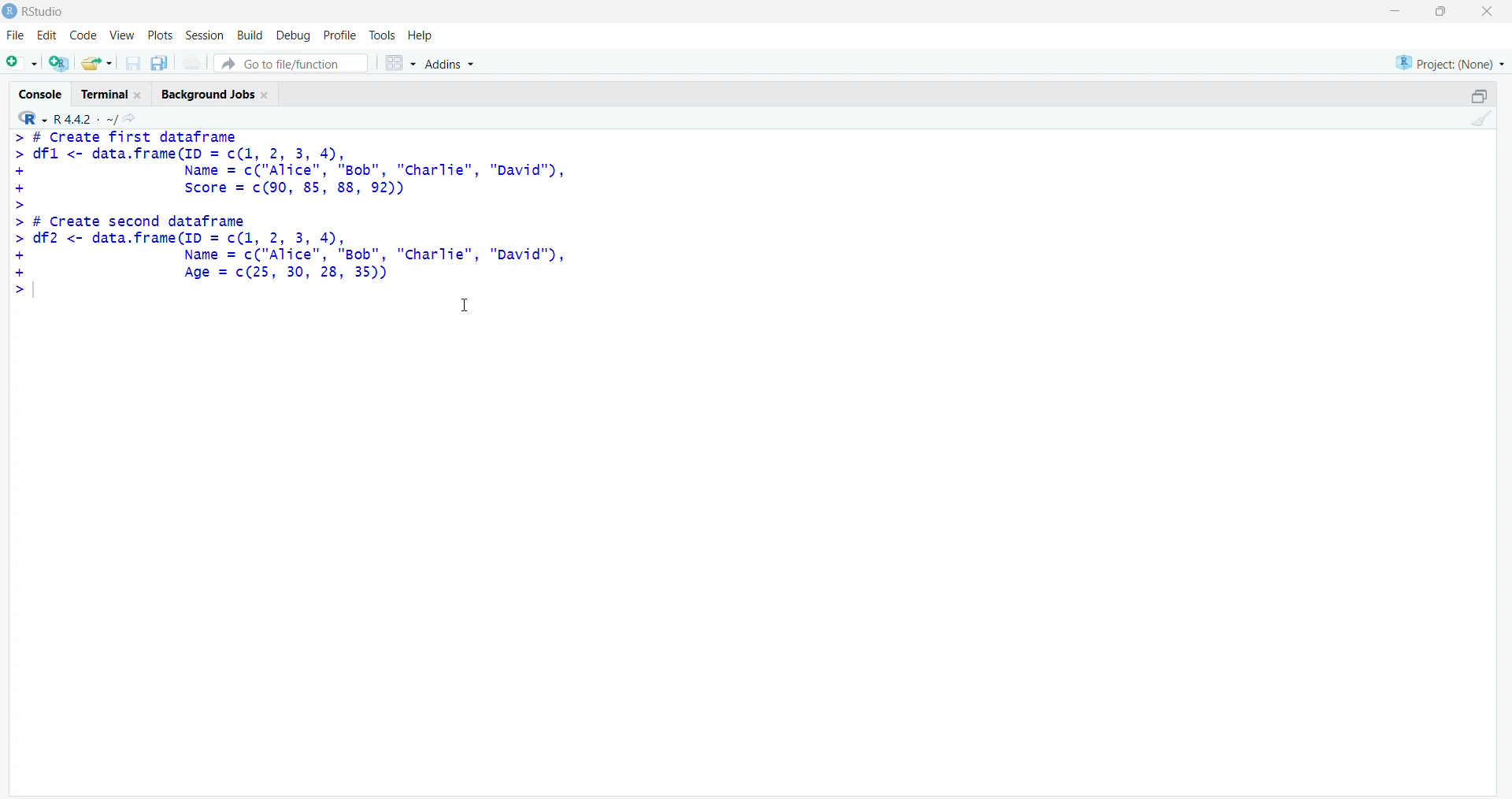 This screenshot has height=799, width=1512. I want to click on Terminal, so click(106, 95).